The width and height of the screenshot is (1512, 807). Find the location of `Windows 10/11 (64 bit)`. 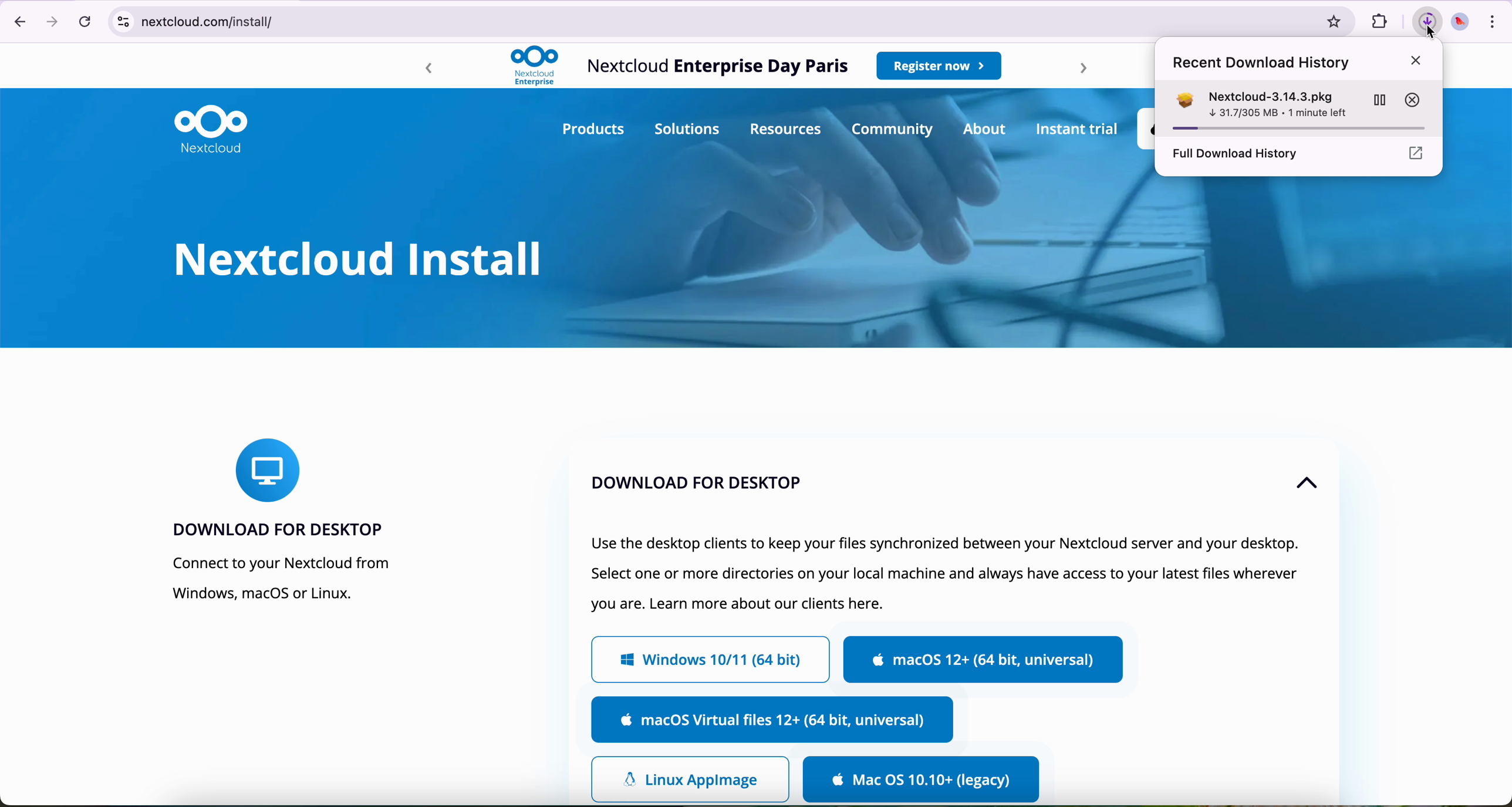

Windows 10/11 (64 bit) is located at coordinates (710, 660).